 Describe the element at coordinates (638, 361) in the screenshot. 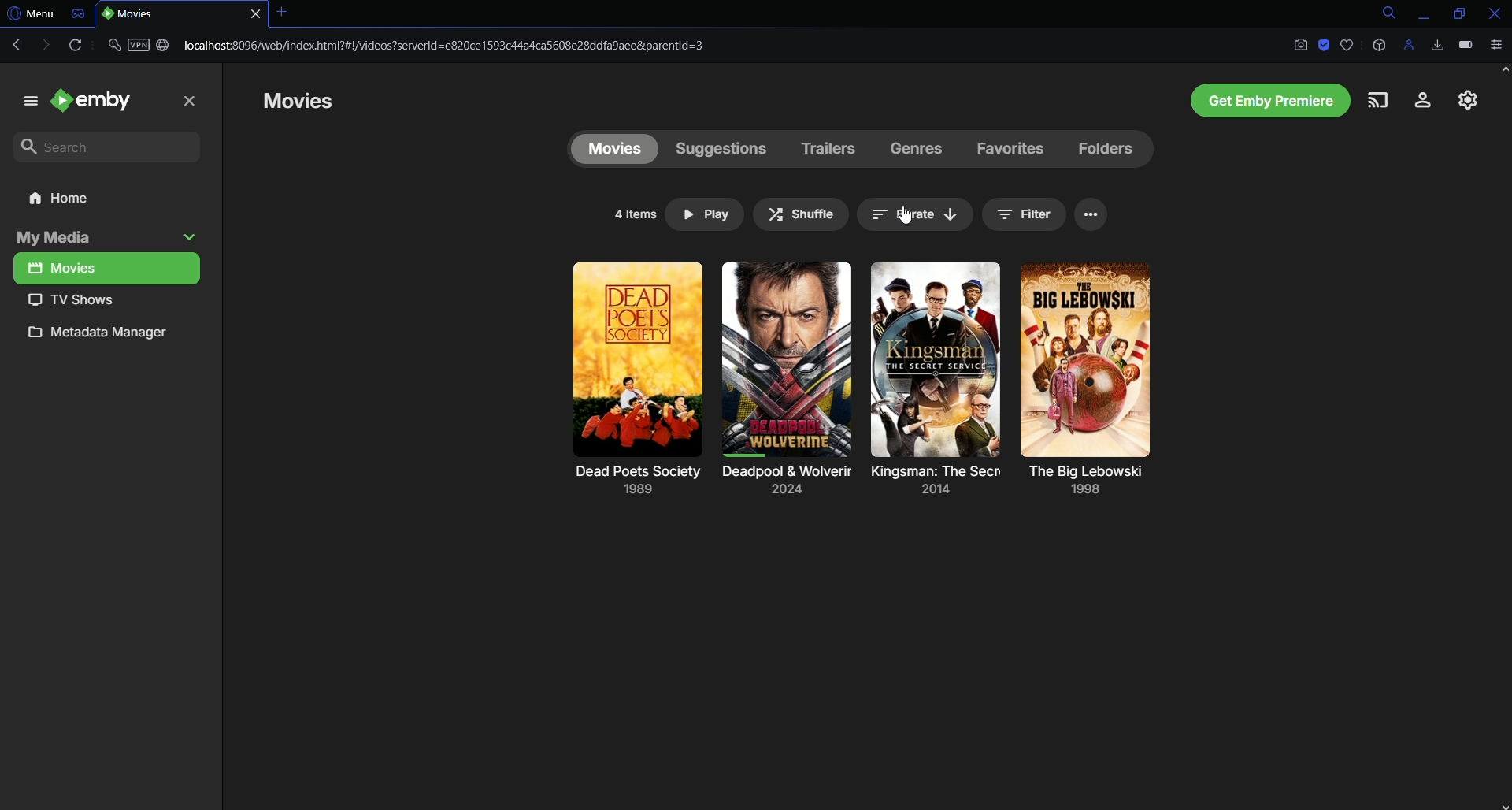

I see `movie poster` at that location.